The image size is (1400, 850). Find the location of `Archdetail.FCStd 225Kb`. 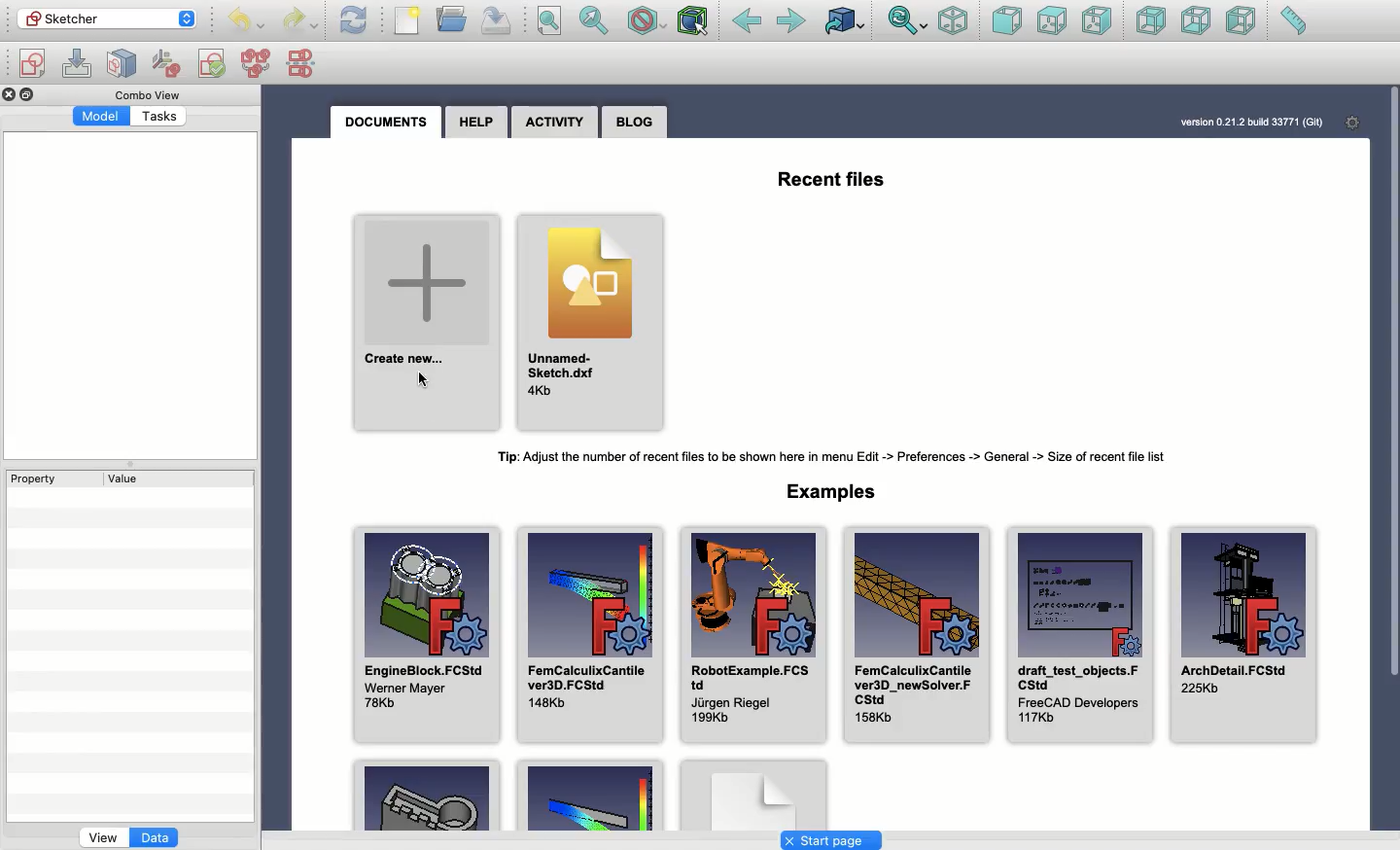

Archdetail.FCStd 225Kb is located at coordinates (1243, 635).